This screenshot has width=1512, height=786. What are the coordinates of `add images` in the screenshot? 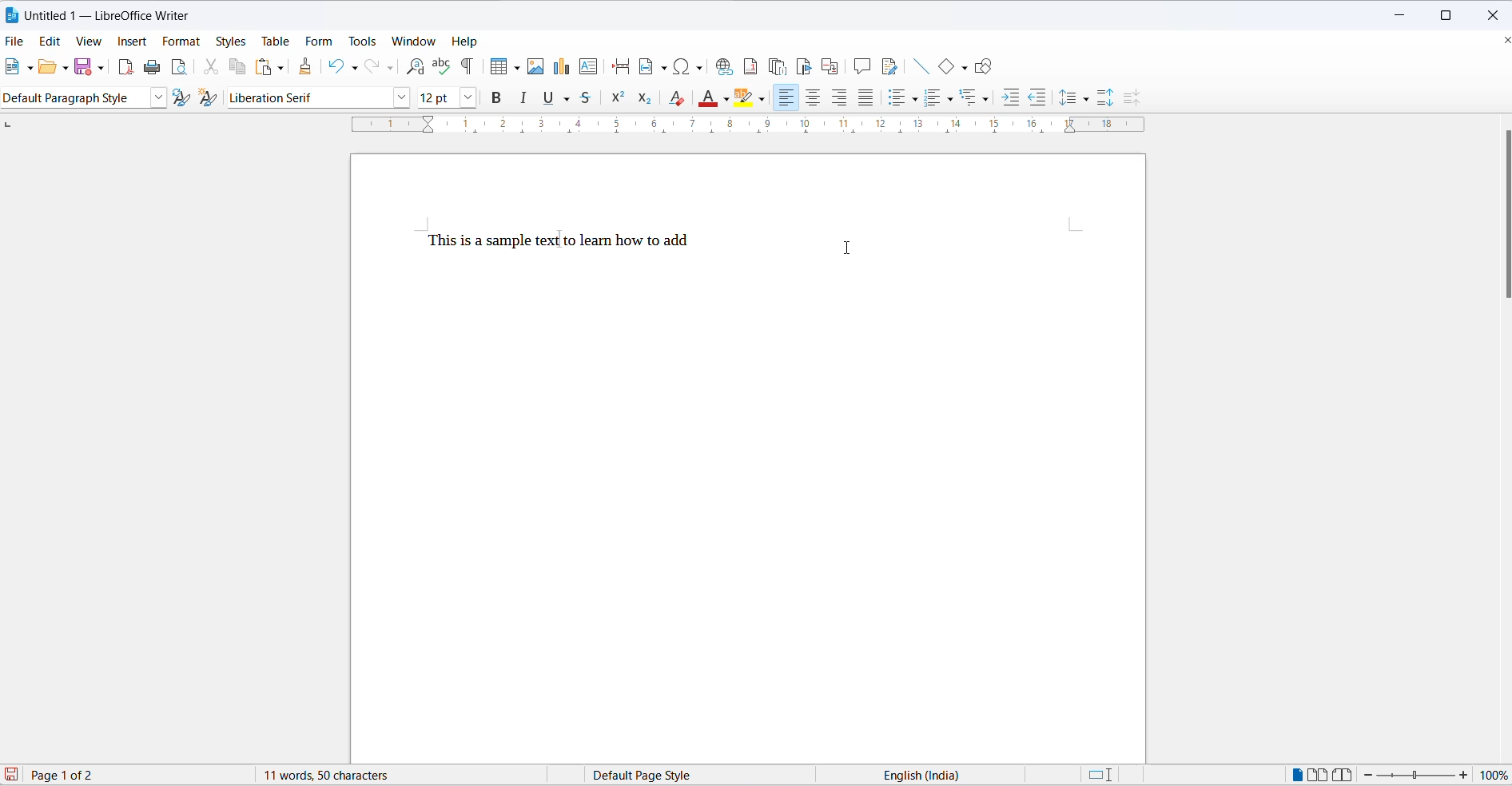 It's located at (535, 68).